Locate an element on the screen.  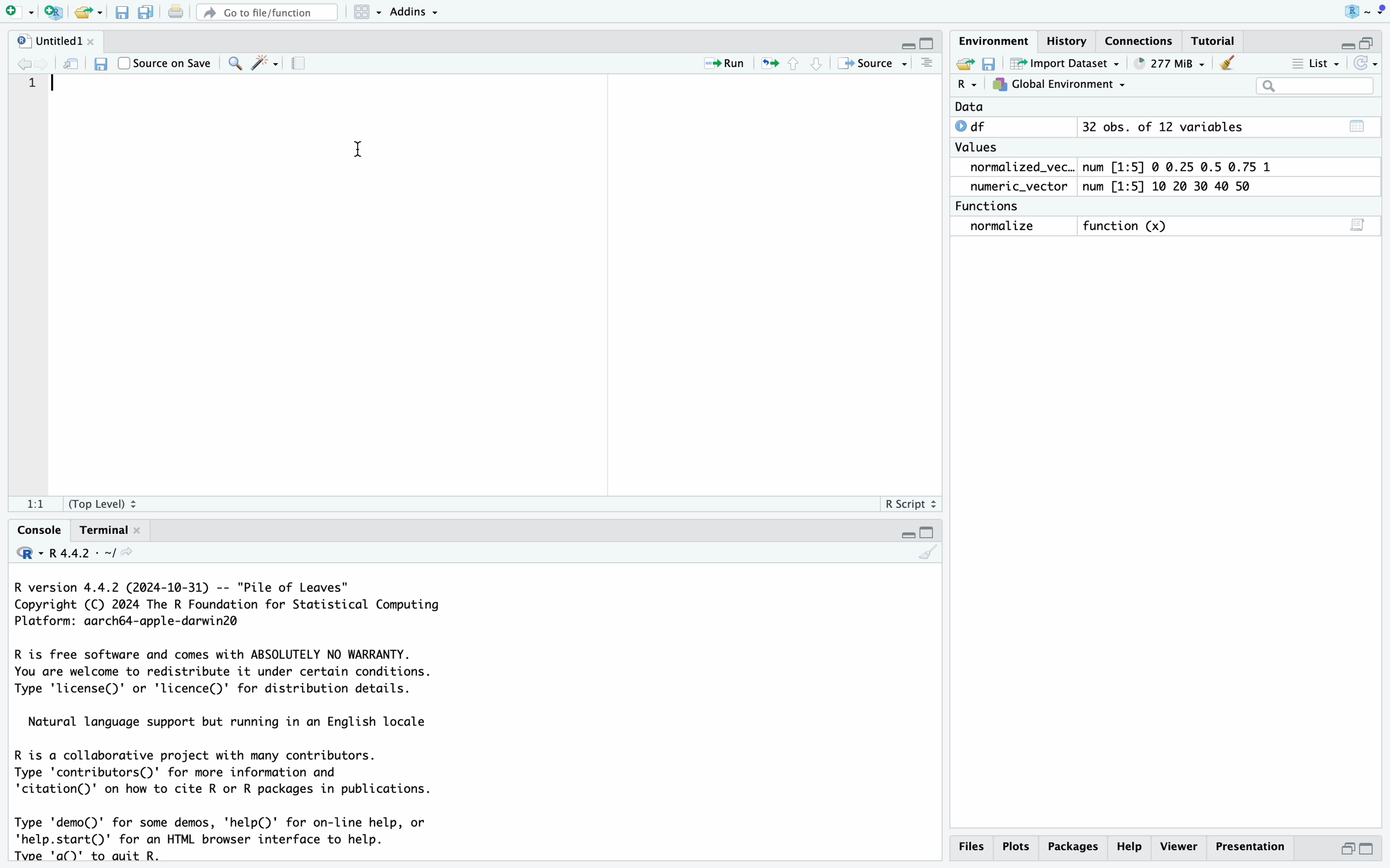
CLEAN UP is located at coordinates (1228, 62).